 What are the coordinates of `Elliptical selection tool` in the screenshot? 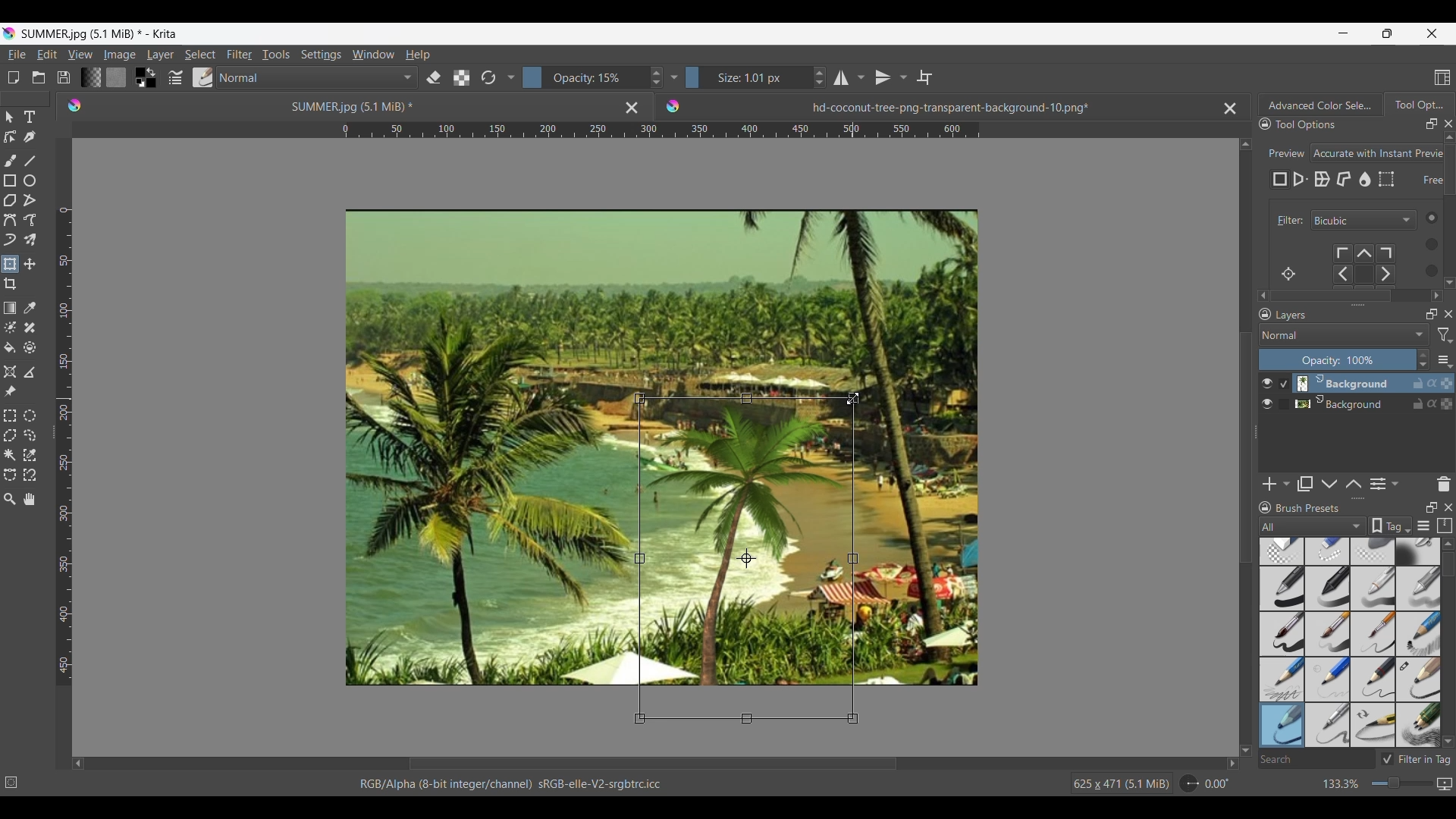 It's located at (30, 416).